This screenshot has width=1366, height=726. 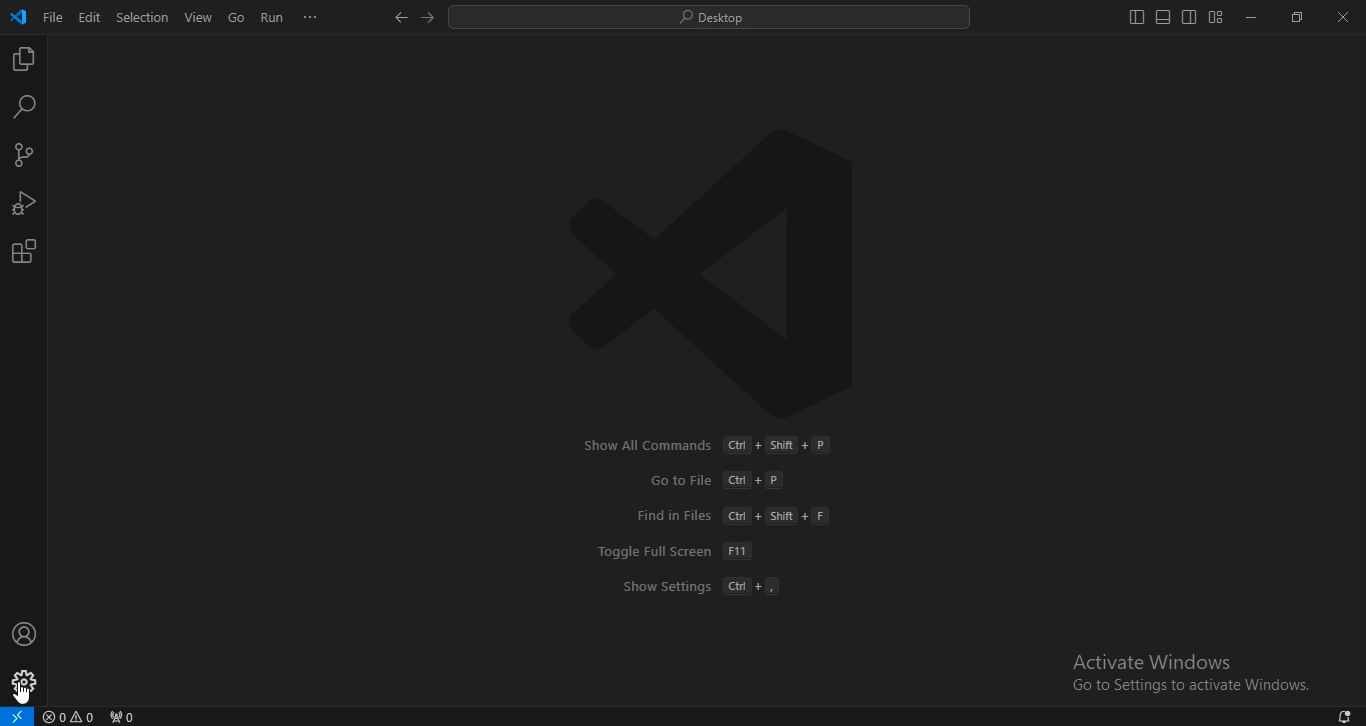 What do you see at coordinates (1253, 16) in the screenshot?
I see `minimize` at bounding box center [1253, 16].